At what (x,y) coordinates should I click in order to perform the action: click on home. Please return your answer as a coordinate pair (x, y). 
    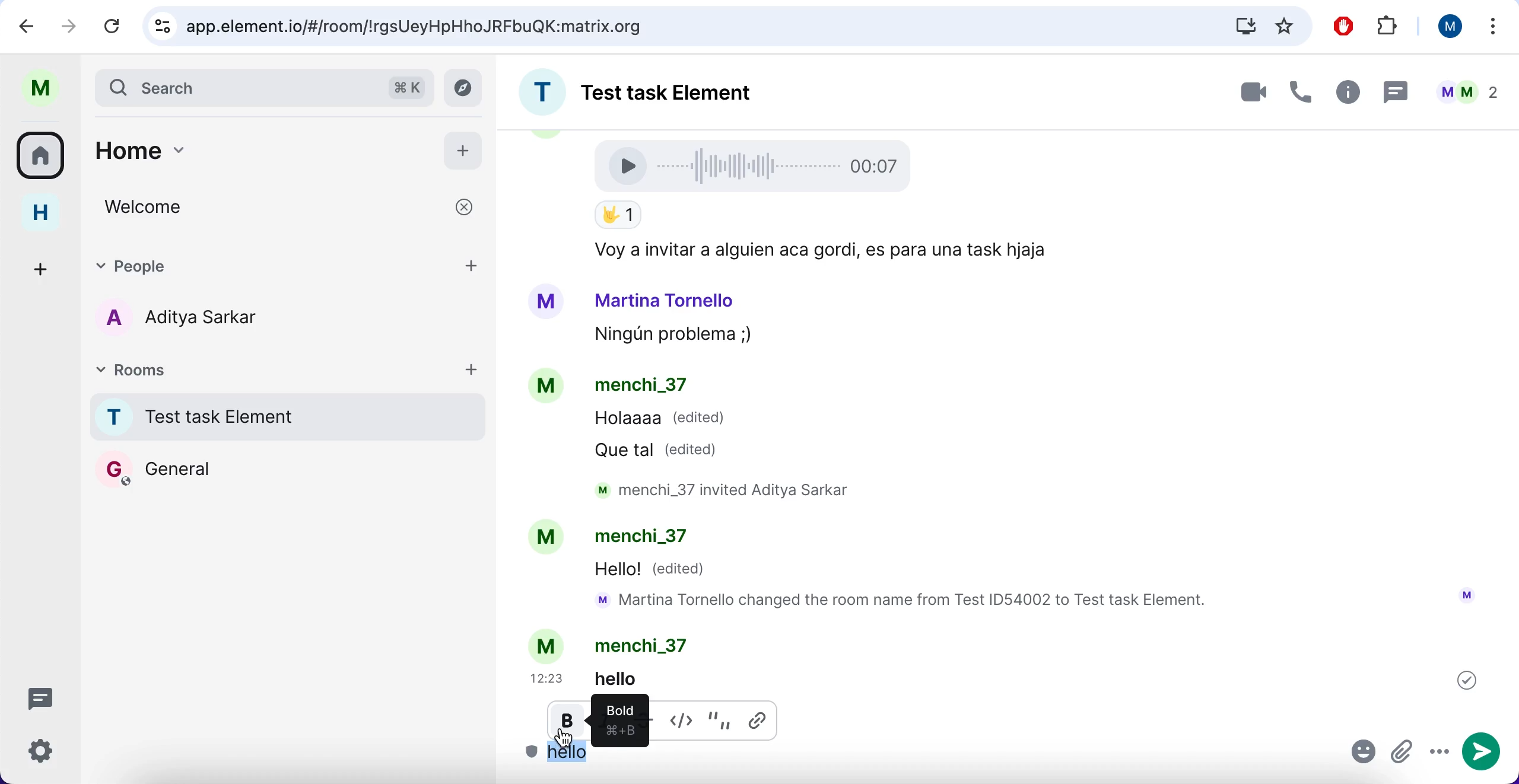
    Looking at the image, I should click on (247, 157).